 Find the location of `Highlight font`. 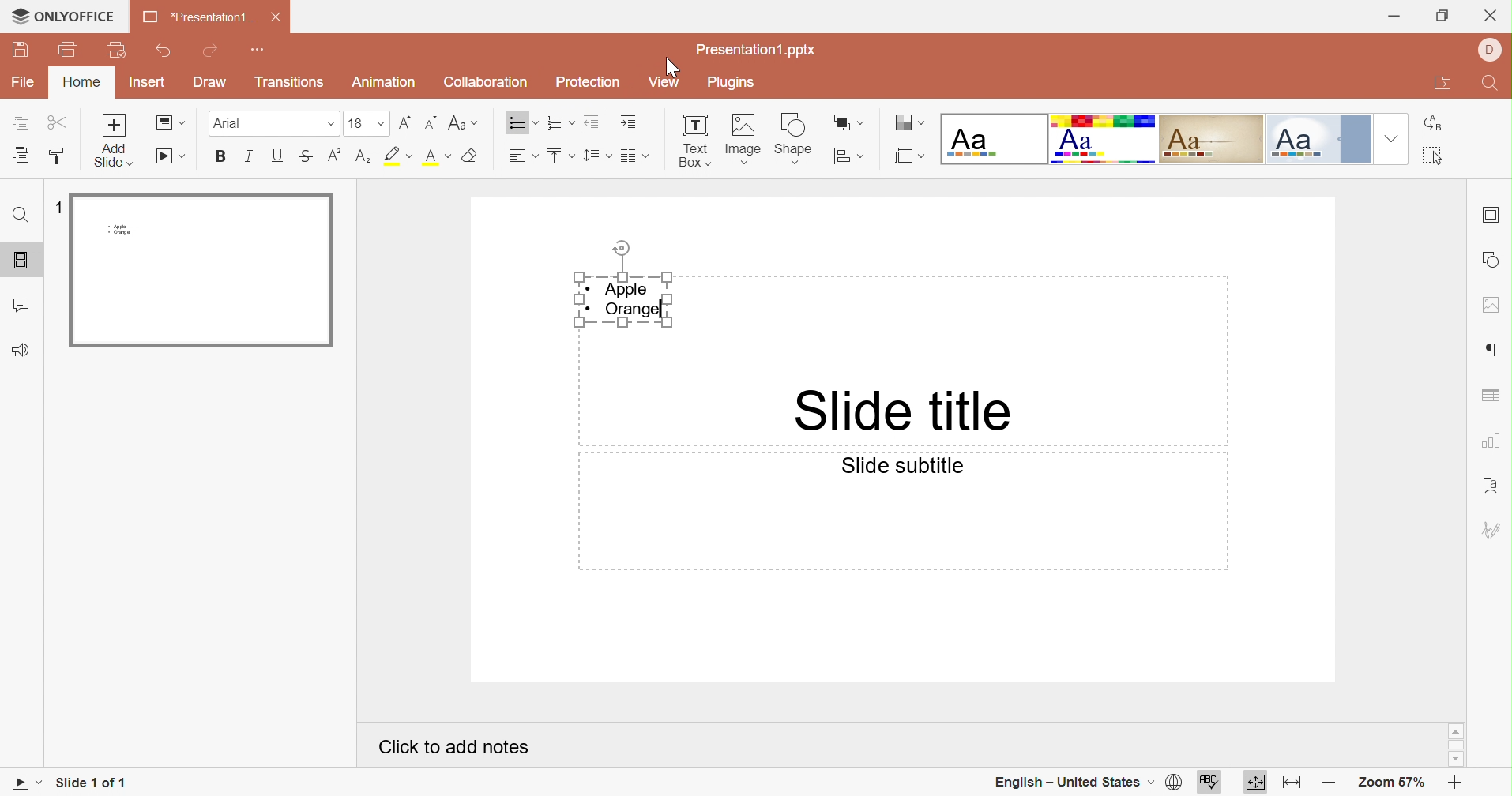

Highlight font is located at coordinates (399, 156).